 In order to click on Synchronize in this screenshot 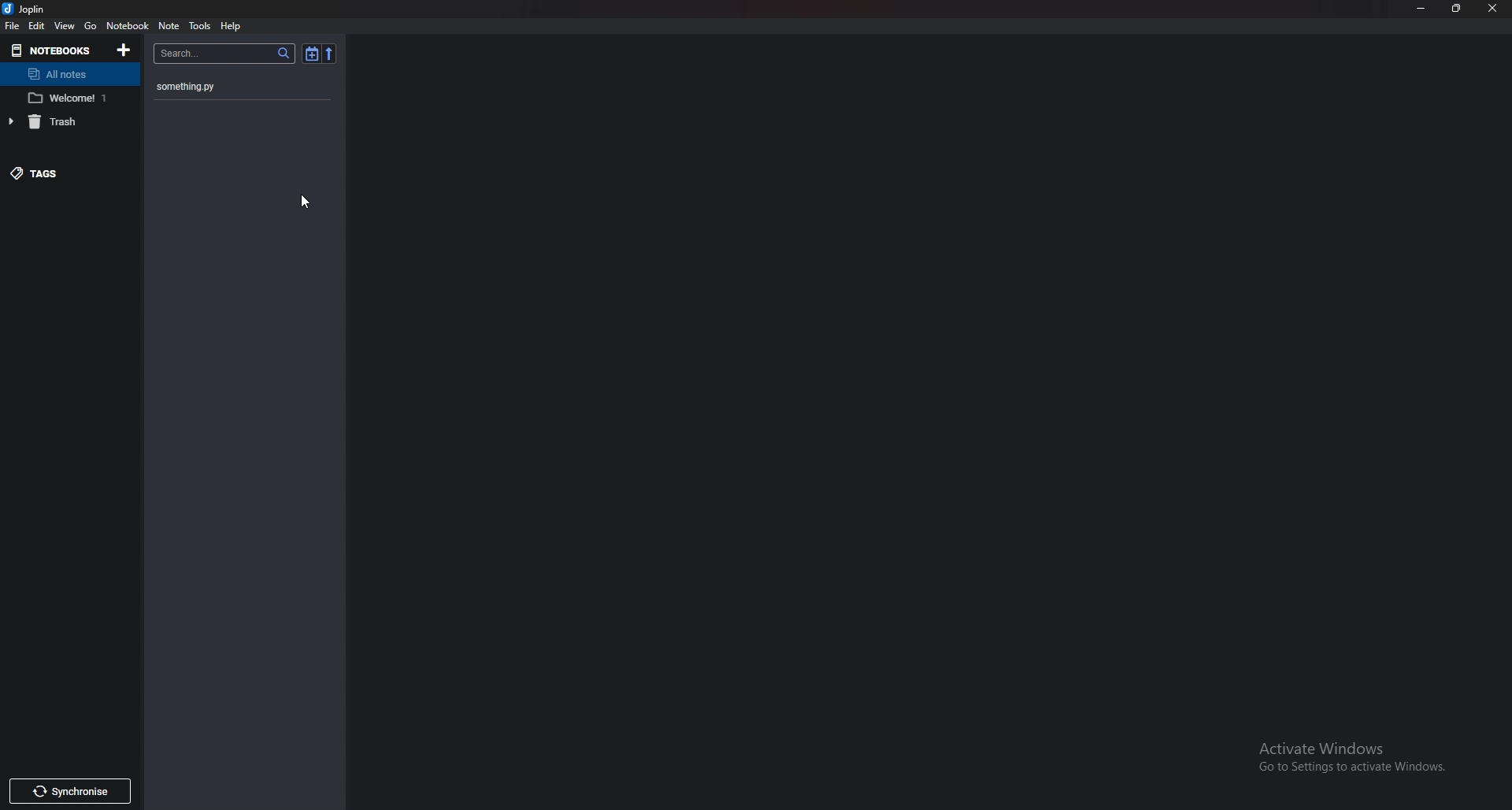, I will do `click(69, 793)`.